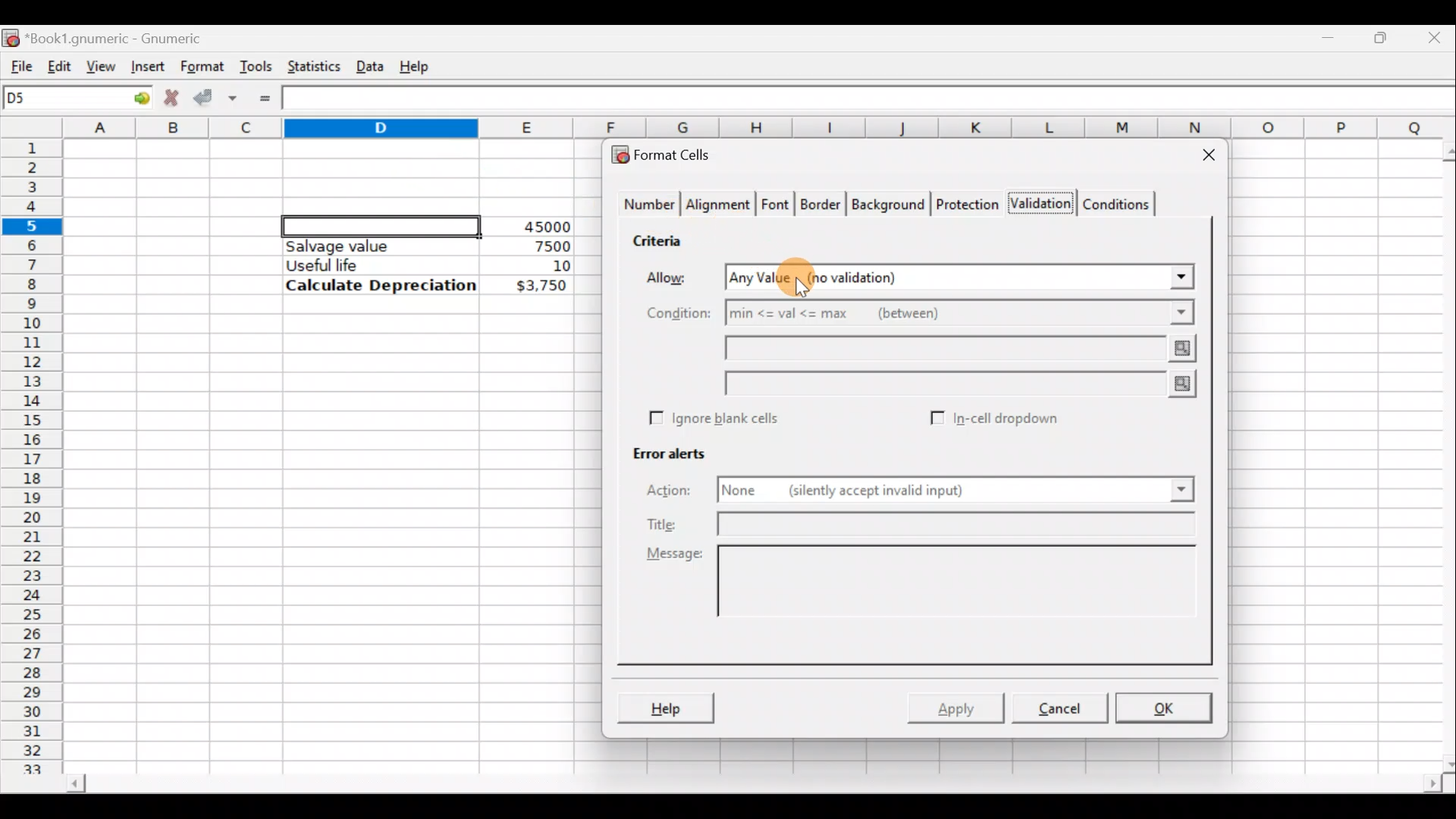 The width and height of the screenshot is (1456, 819). I want to click on 7500, so click(528, 245).